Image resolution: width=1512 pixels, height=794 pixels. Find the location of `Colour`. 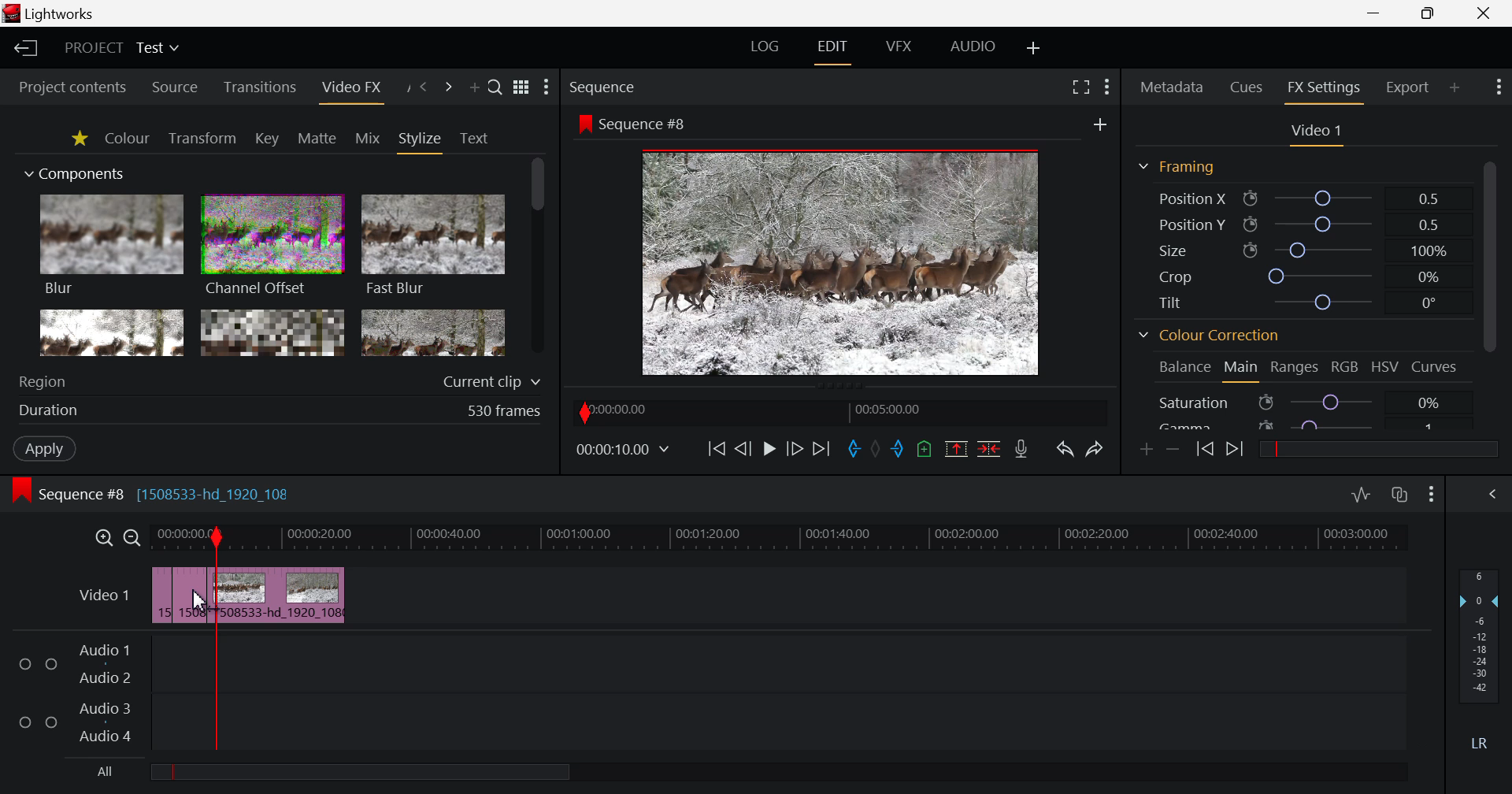

Colour is located at coordinates (128, 138).